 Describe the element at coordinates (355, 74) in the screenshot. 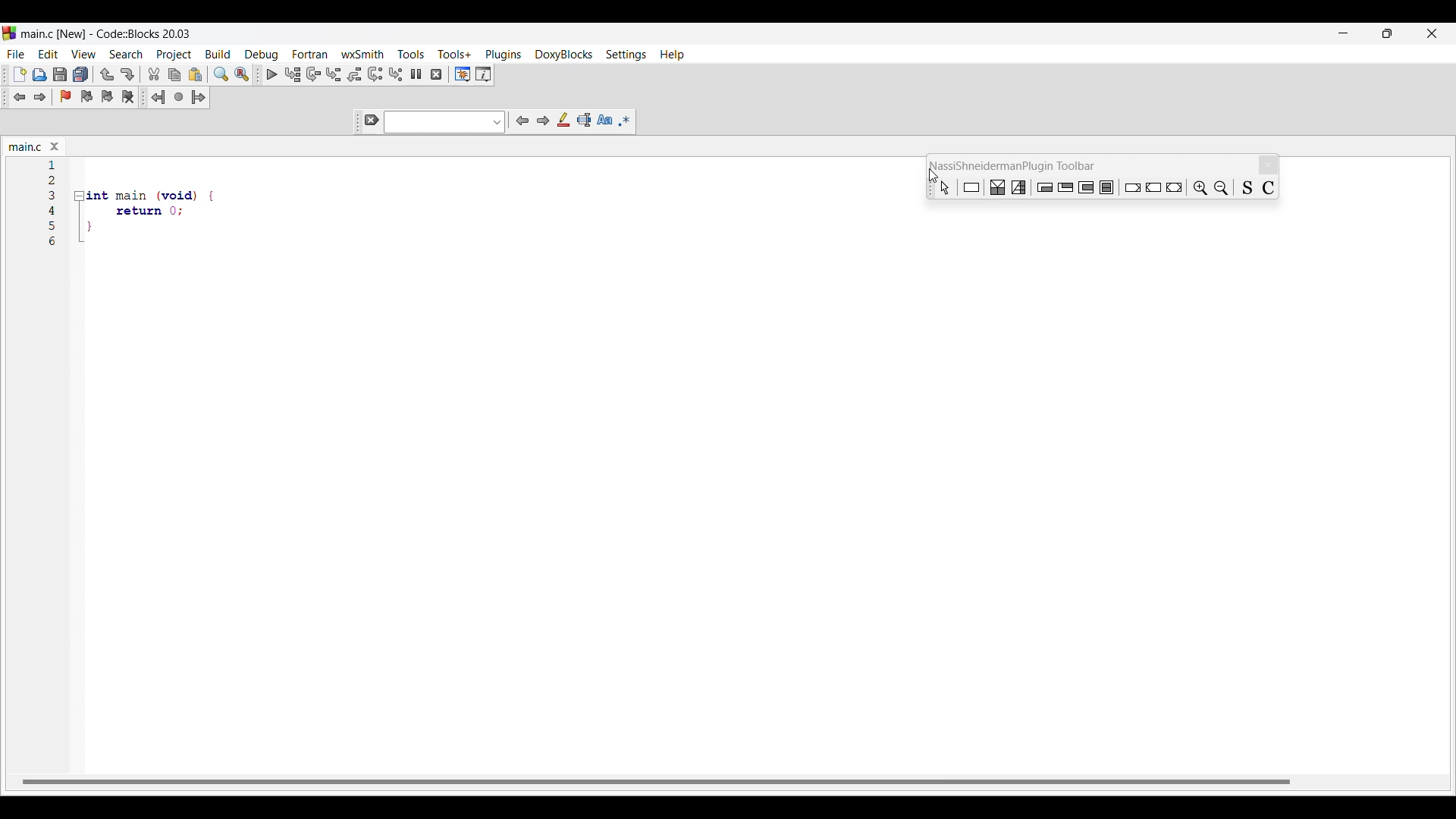

I see `Step out` at that location.